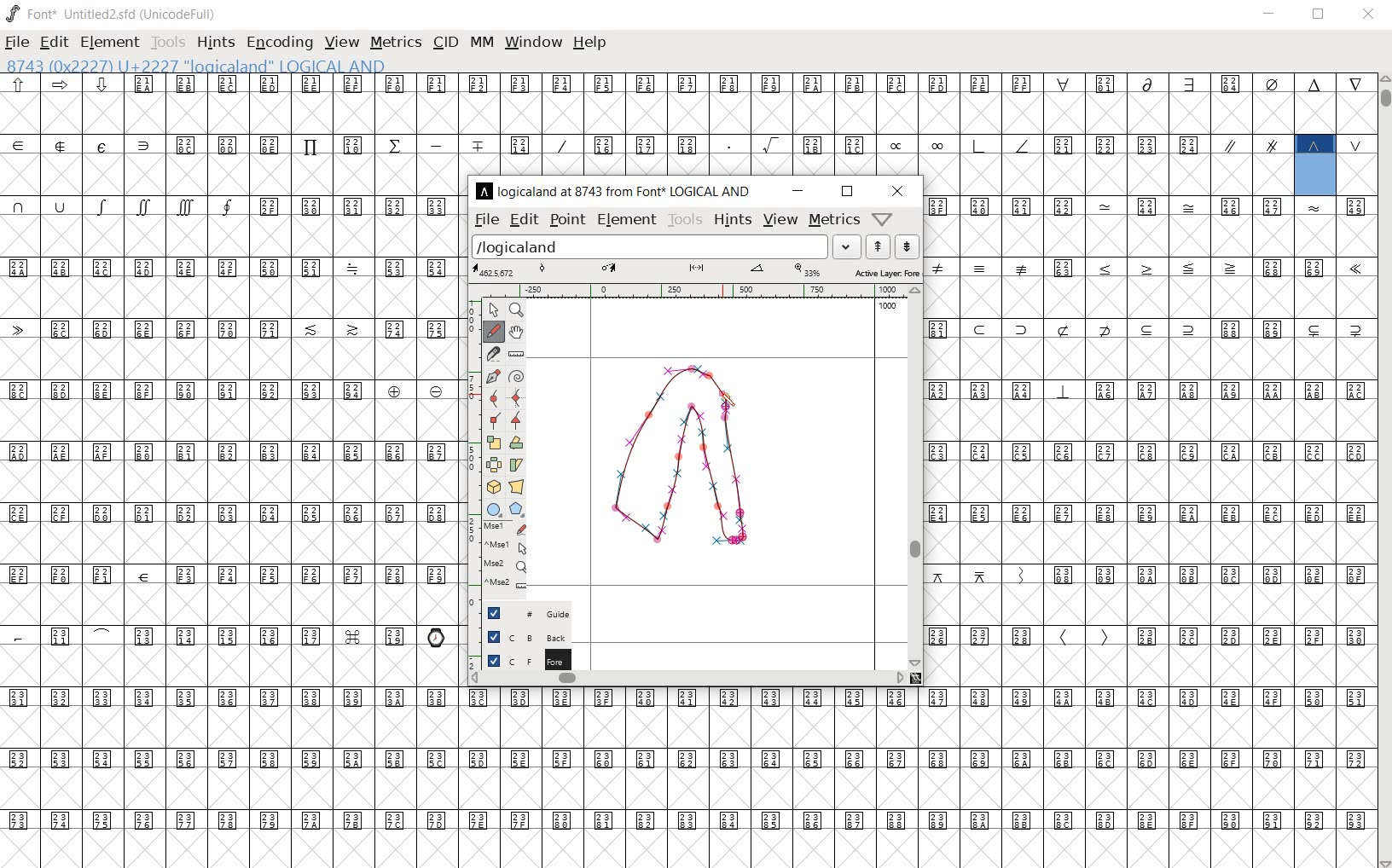 The width and height of the screenshot is (1392, 868). What do you see at coordinates (169, 42) in the screenshot?
I see `tools` at bounding box center [169, 42].